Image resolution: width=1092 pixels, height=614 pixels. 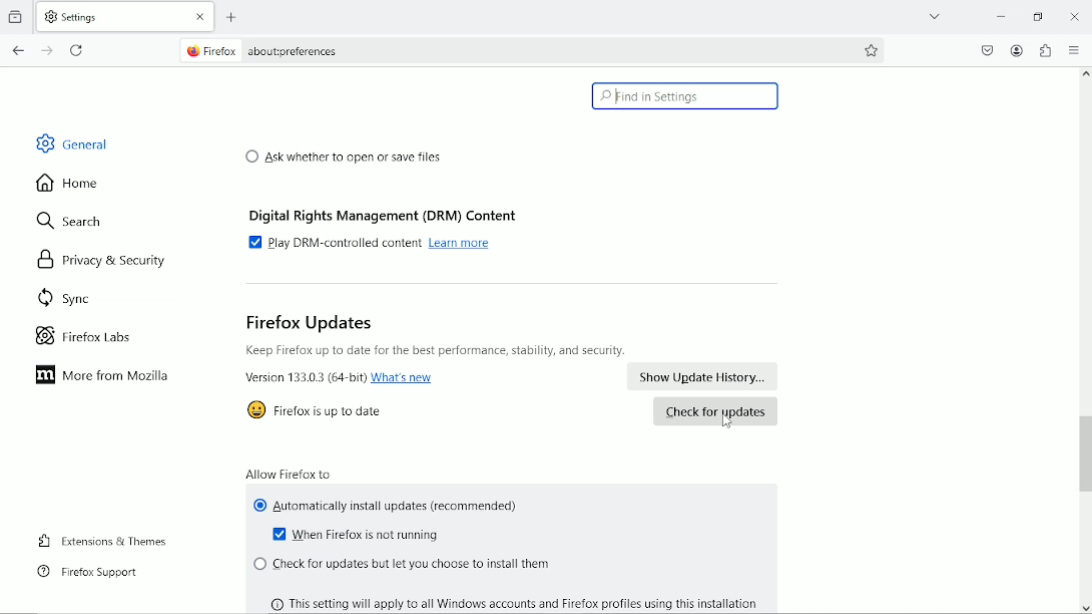 What do you see at coordinates (63, 300) in the screenshot?
I see `sync` at bounding box center [63, 300].